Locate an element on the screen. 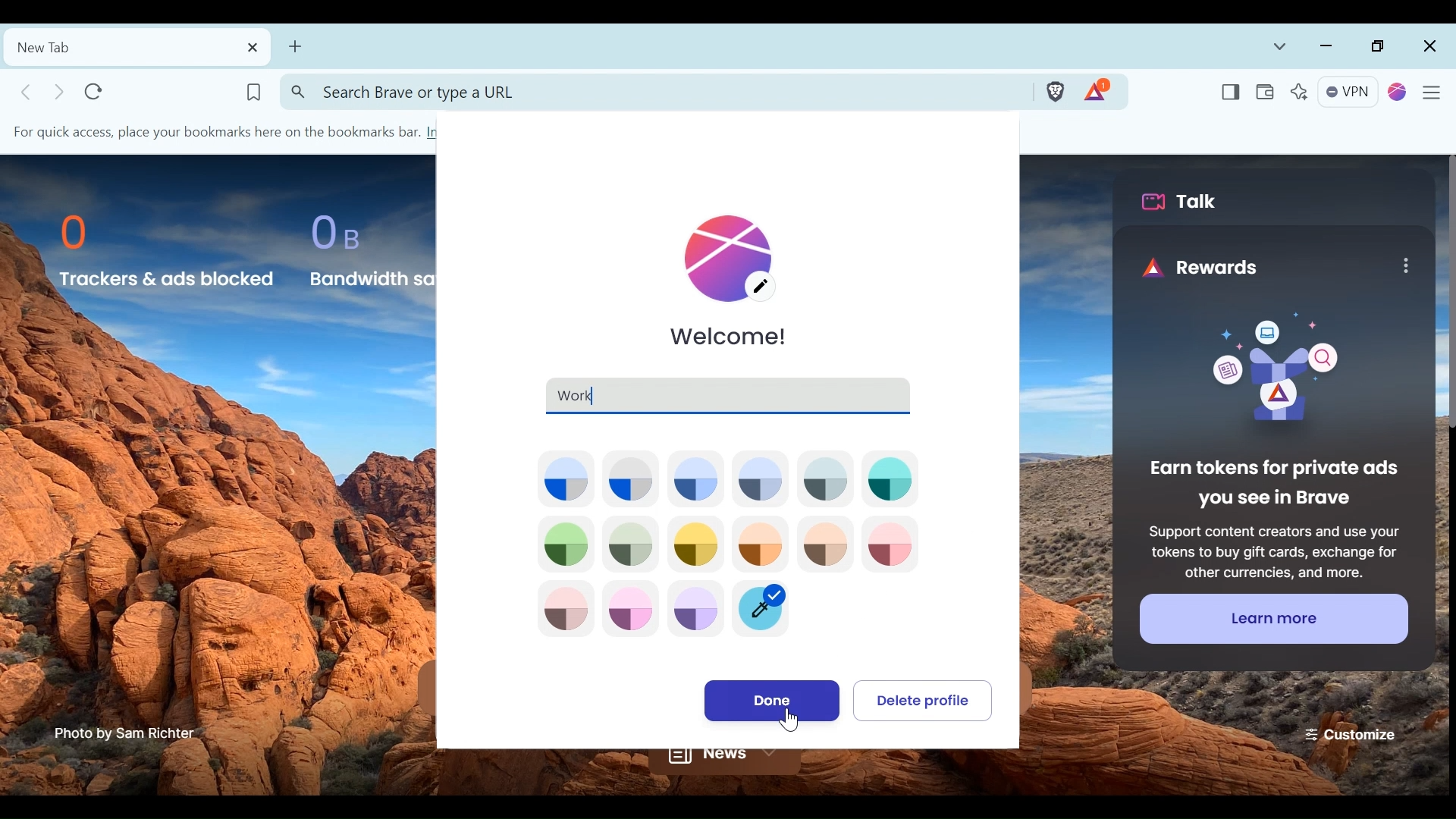 The height and width of the screenshot is (819, 1456). New tab is located at coordinates (137, 46).